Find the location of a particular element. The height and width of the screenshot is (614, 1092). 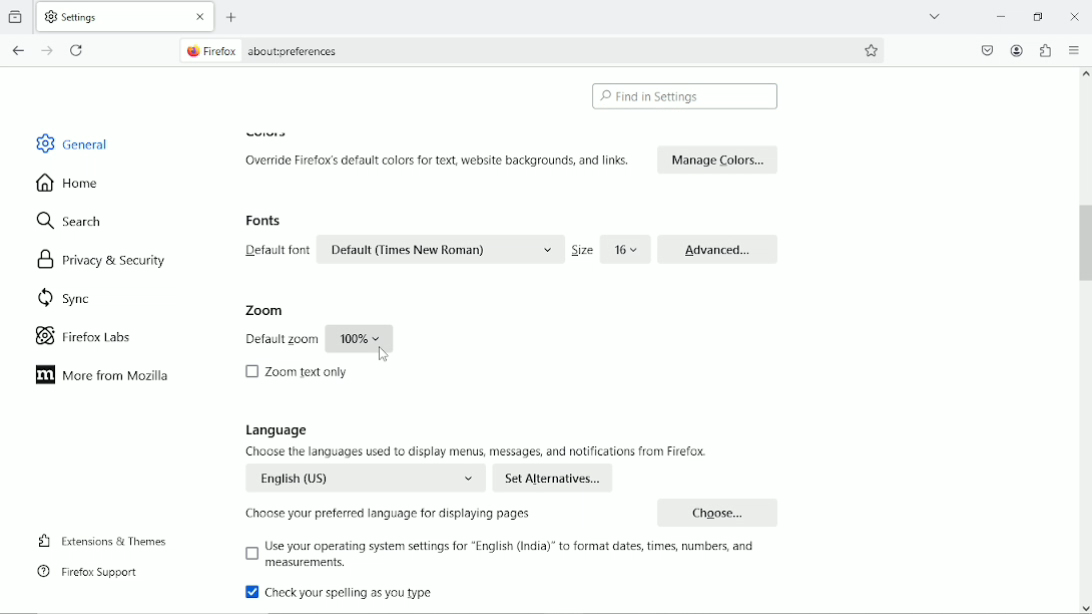

Close is located at coordinates (201, 17).